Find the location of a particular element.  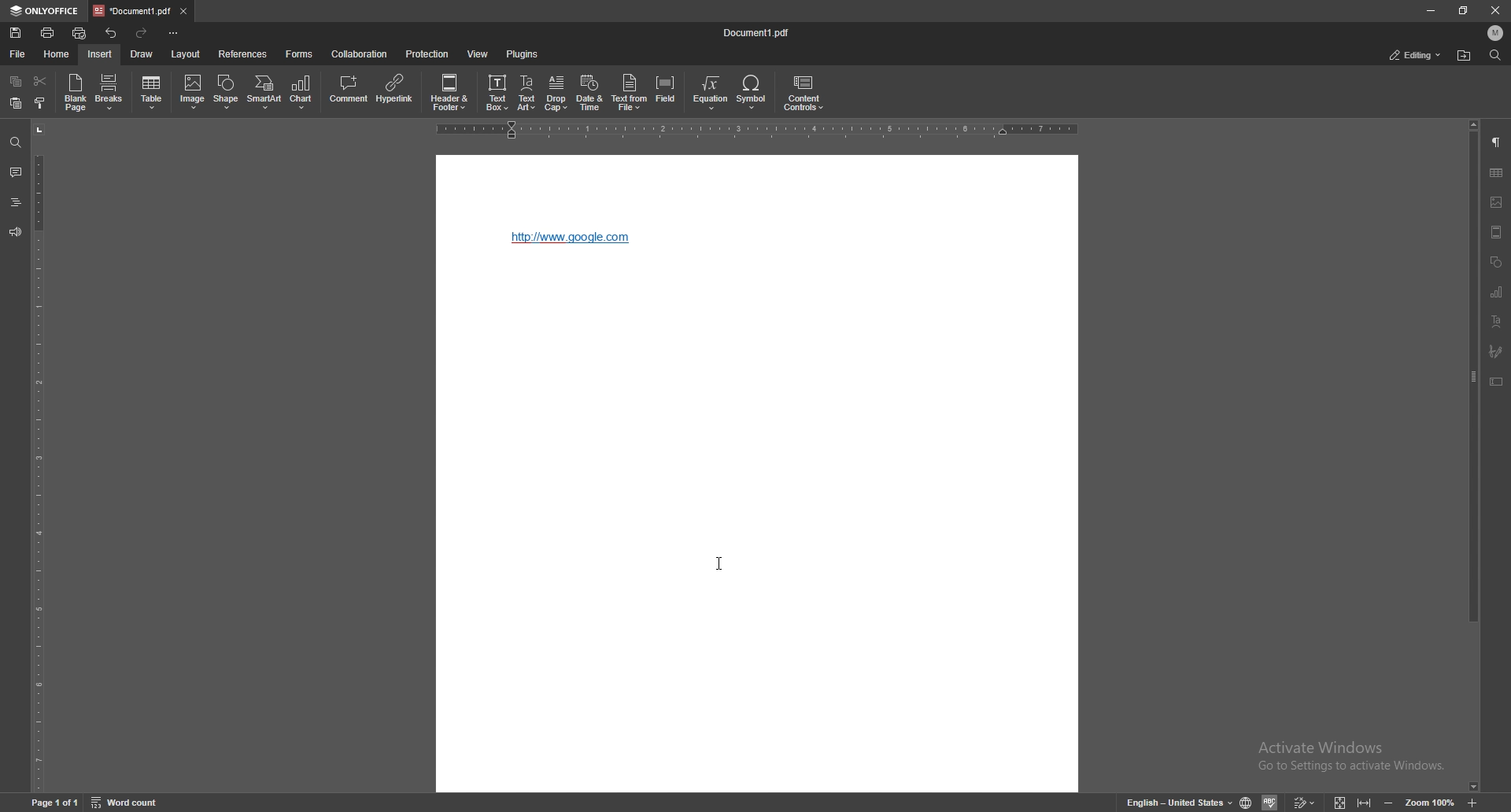

change doc language is located at coordinates (1247, 801).